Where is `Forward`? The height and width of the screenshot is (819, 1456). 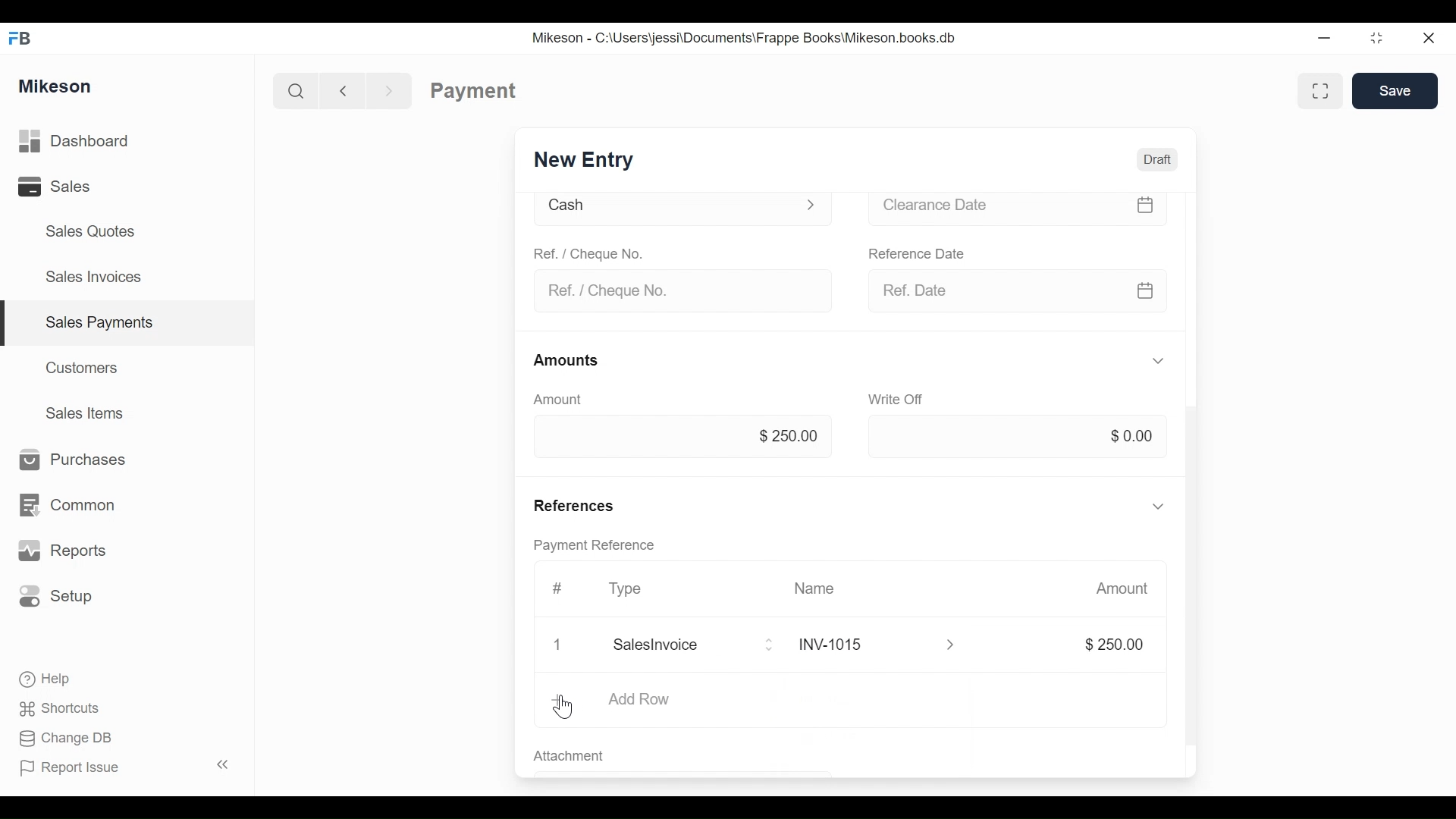 Forward is located at coordinates (394, 89).